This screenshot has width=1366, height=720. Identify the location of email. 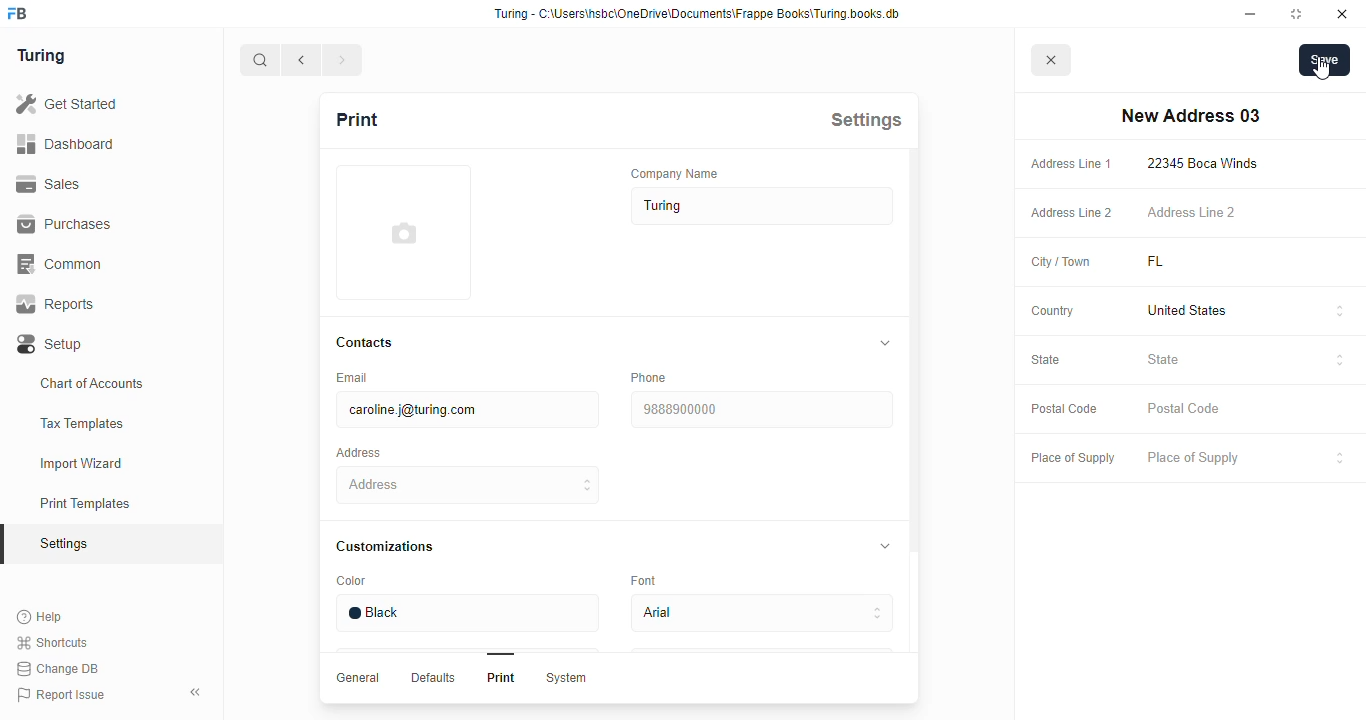
(350, 377).